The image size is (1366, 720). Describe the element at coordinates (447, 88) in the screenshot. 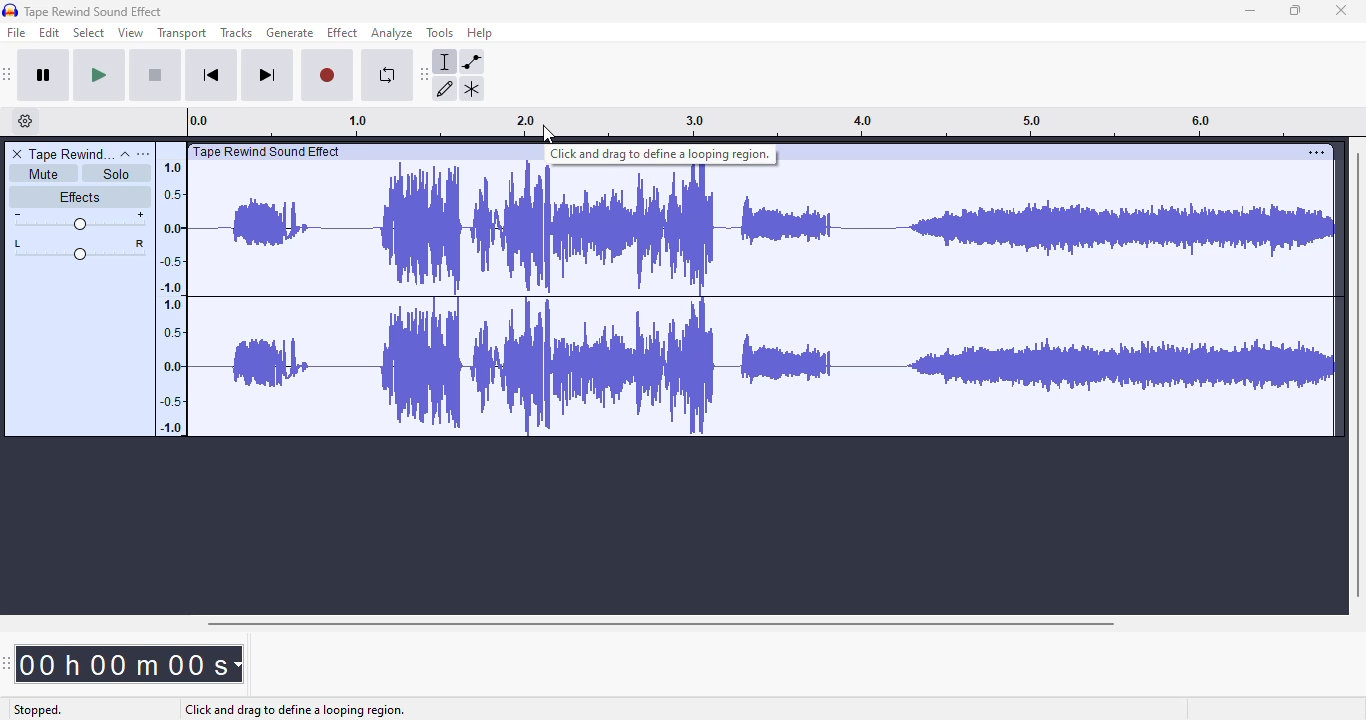

I see `draw tool` at that location.